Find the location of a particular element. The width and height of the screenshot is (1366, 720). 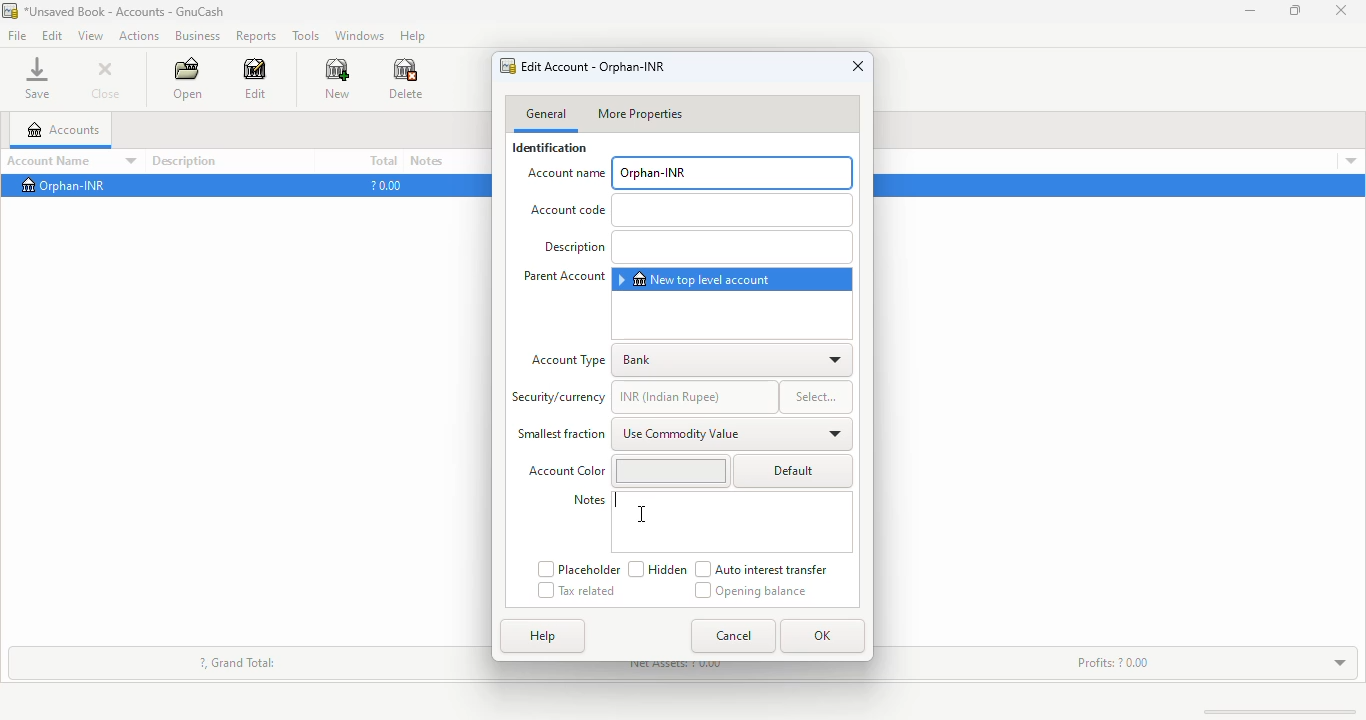

edit account - orphan-INR is located at coordinates (593, 66).